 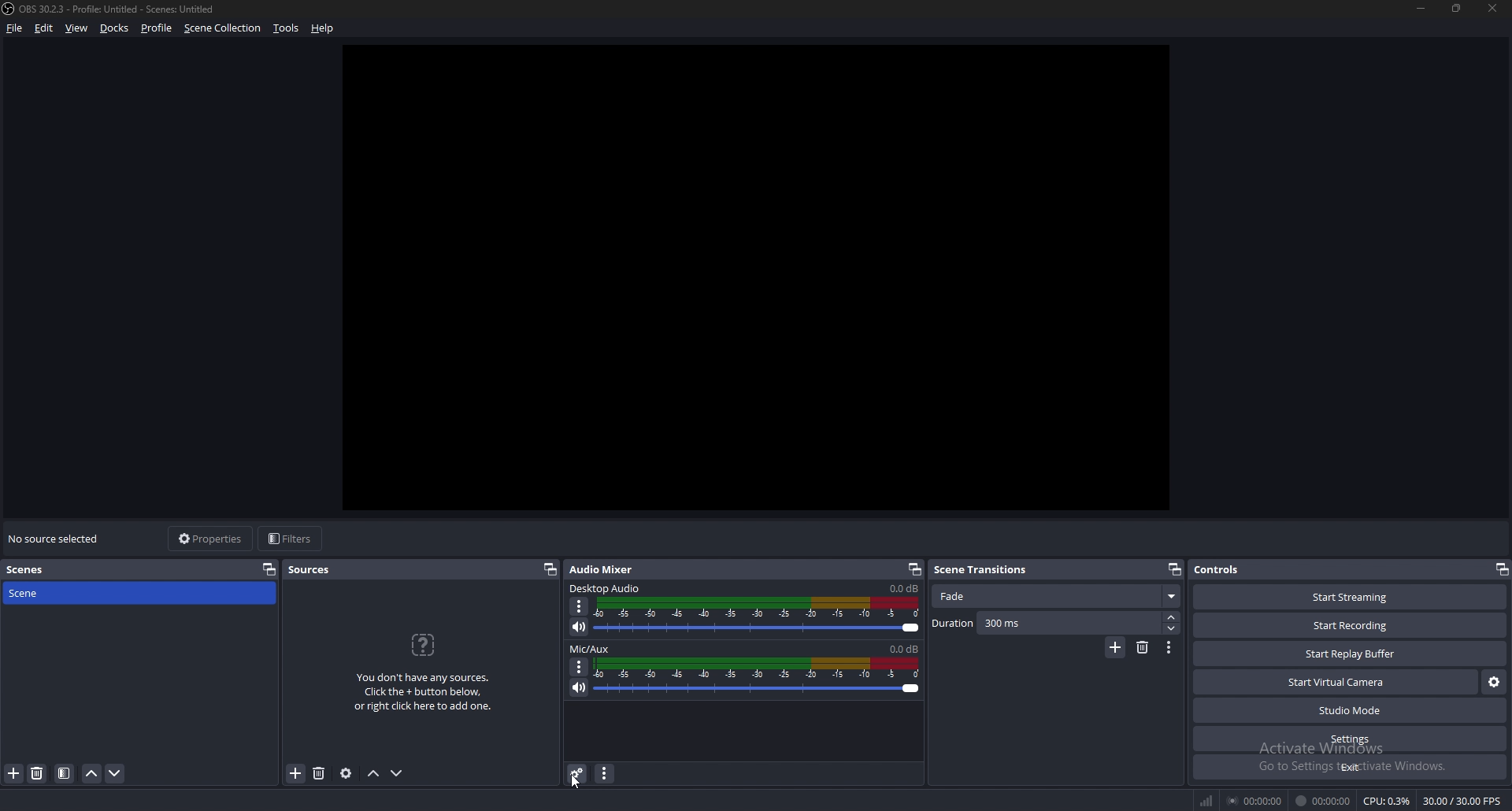 I want to click on minimize, so click(x=1420, y=9).